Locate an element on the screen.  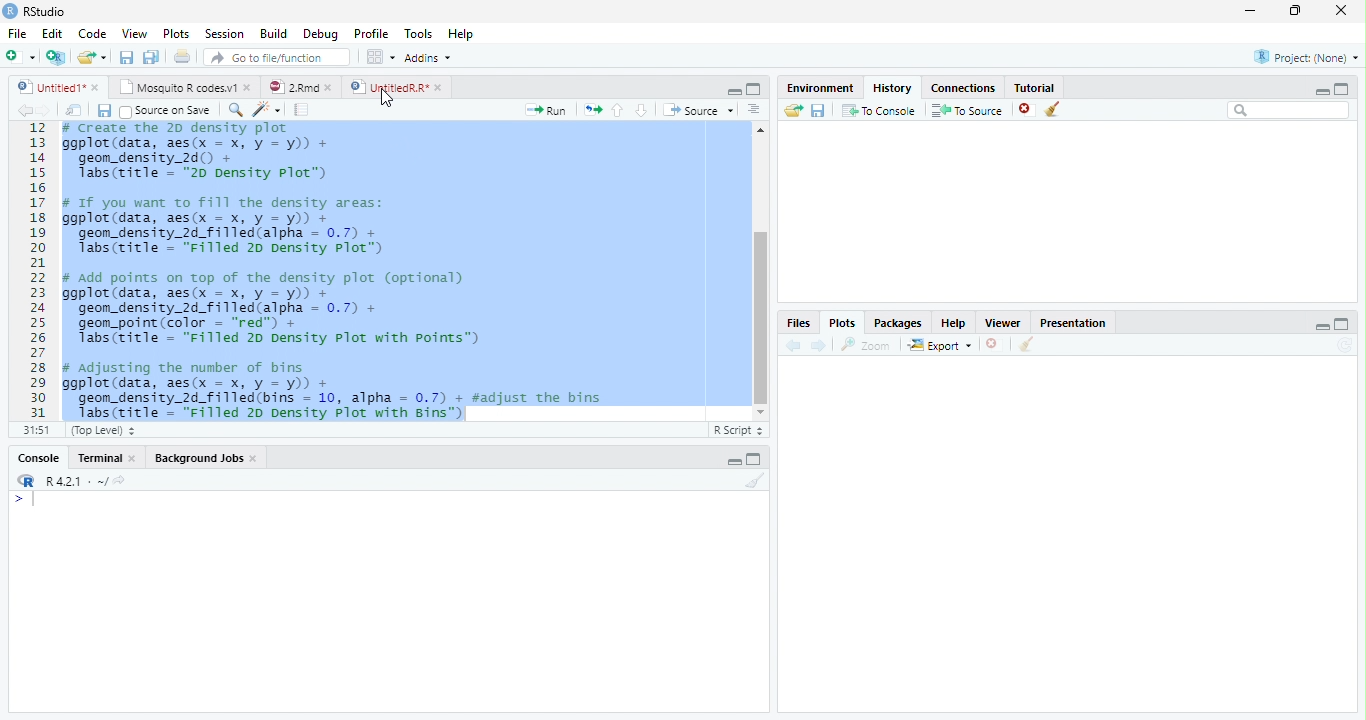
search is located at coordinates (232, 109).